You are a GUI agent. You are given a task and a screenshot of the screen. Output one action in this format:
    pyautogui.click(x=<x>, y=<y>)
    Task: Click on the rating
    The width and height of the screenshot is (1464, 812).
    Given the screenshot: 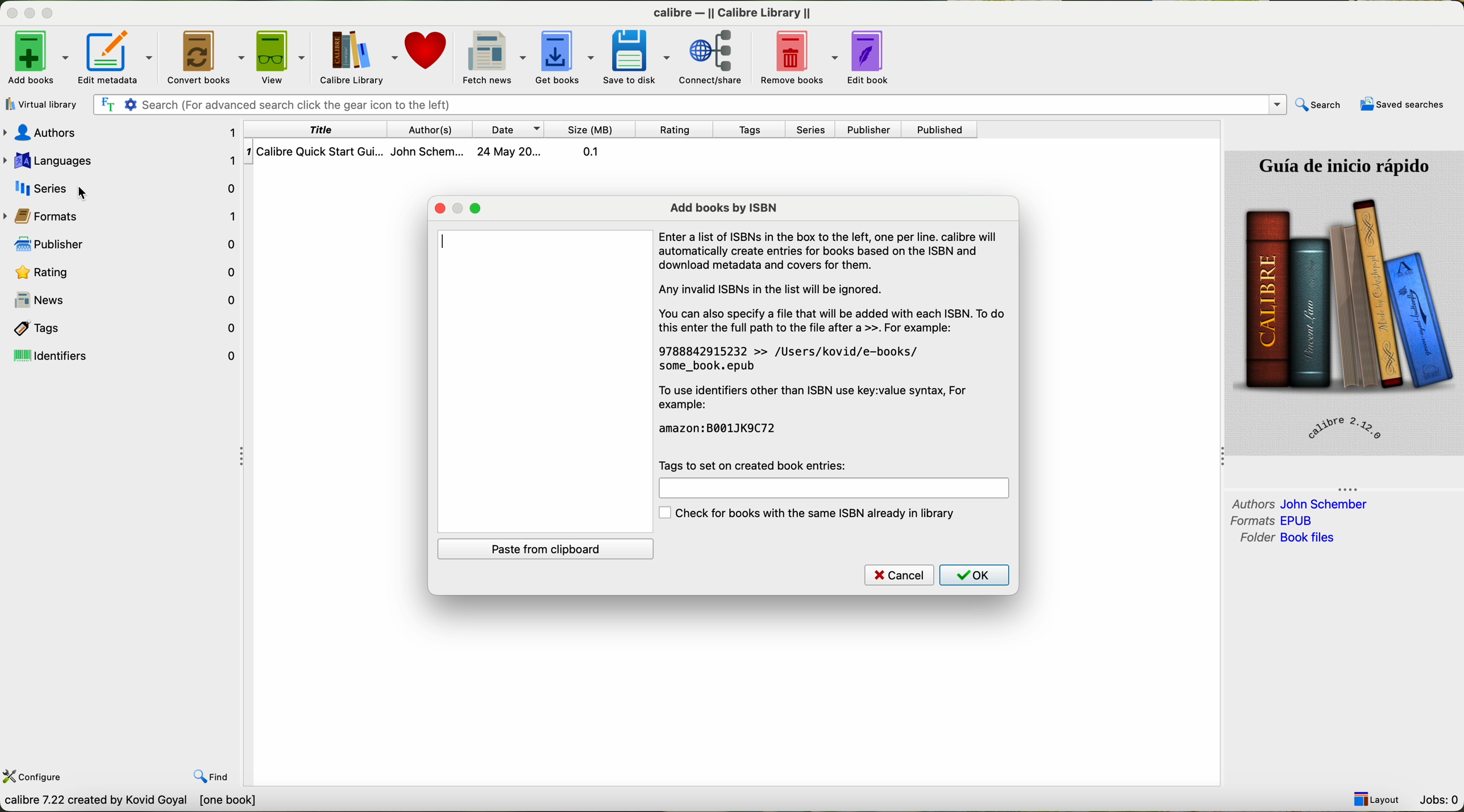 What is the action you would take?
    pyautogui.click(x=675, y=130)
    